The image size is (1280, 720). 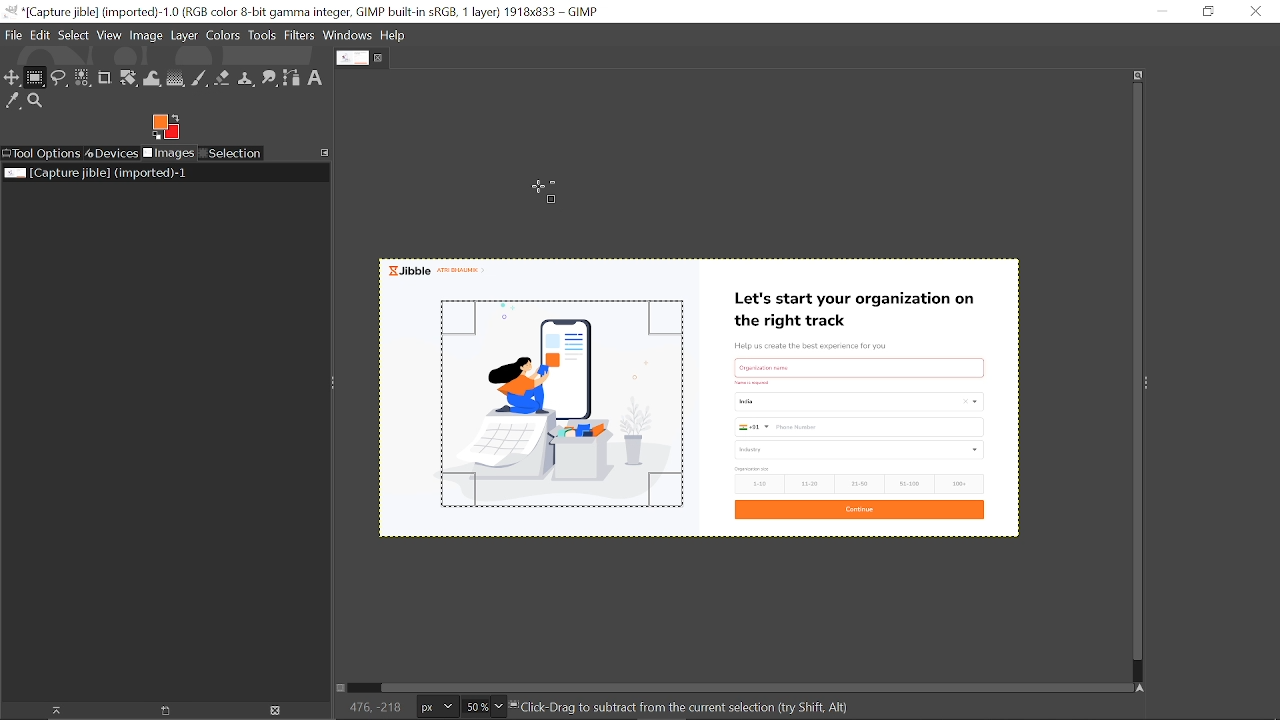 I want to click on Navigate this window, so click(x=1139, y=687).